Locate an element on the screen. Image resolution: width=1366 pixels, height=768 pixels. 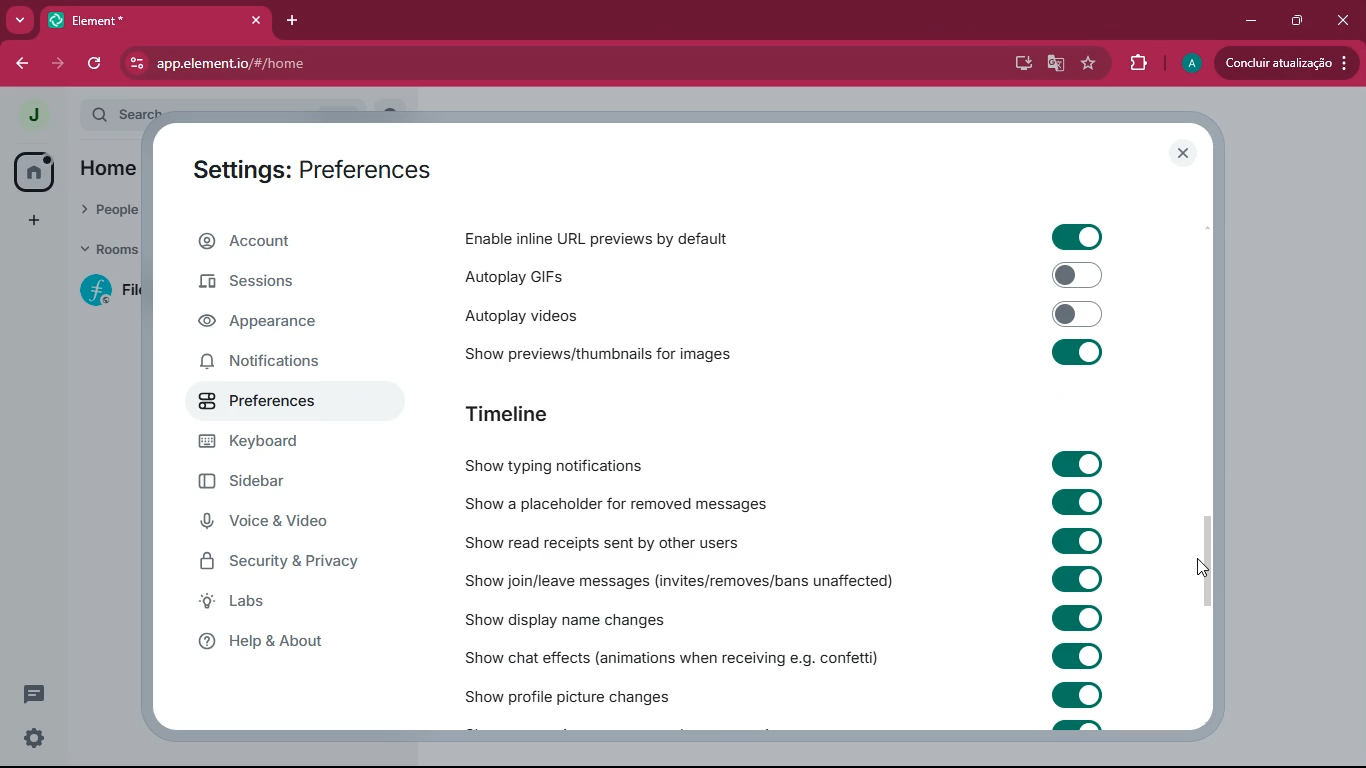
toggle on/off is located at coordinates (1079, 502).